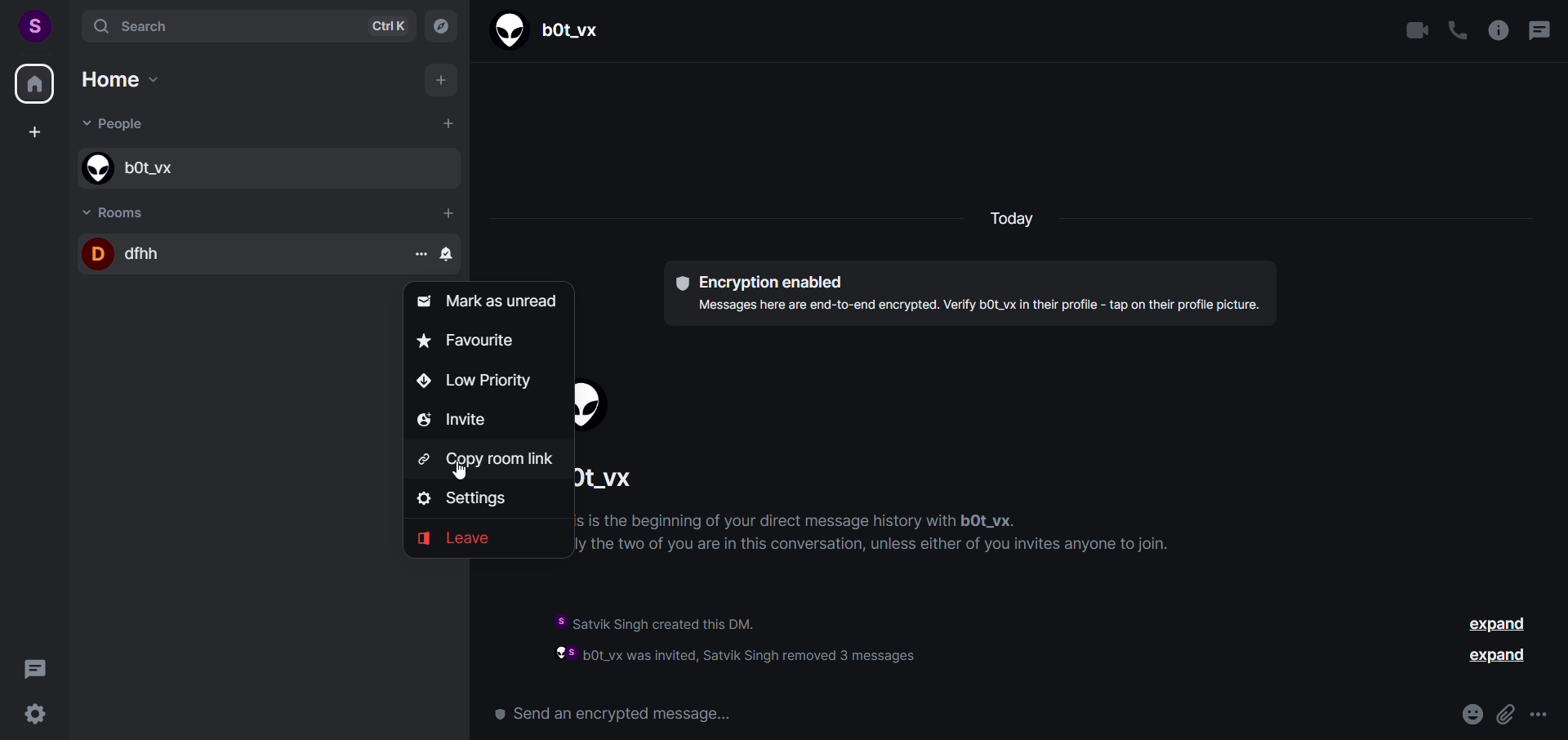 The image size is (1568, 740). Describe the element at coordinates (241, 25) in the screenshot. I see `search` at that location.